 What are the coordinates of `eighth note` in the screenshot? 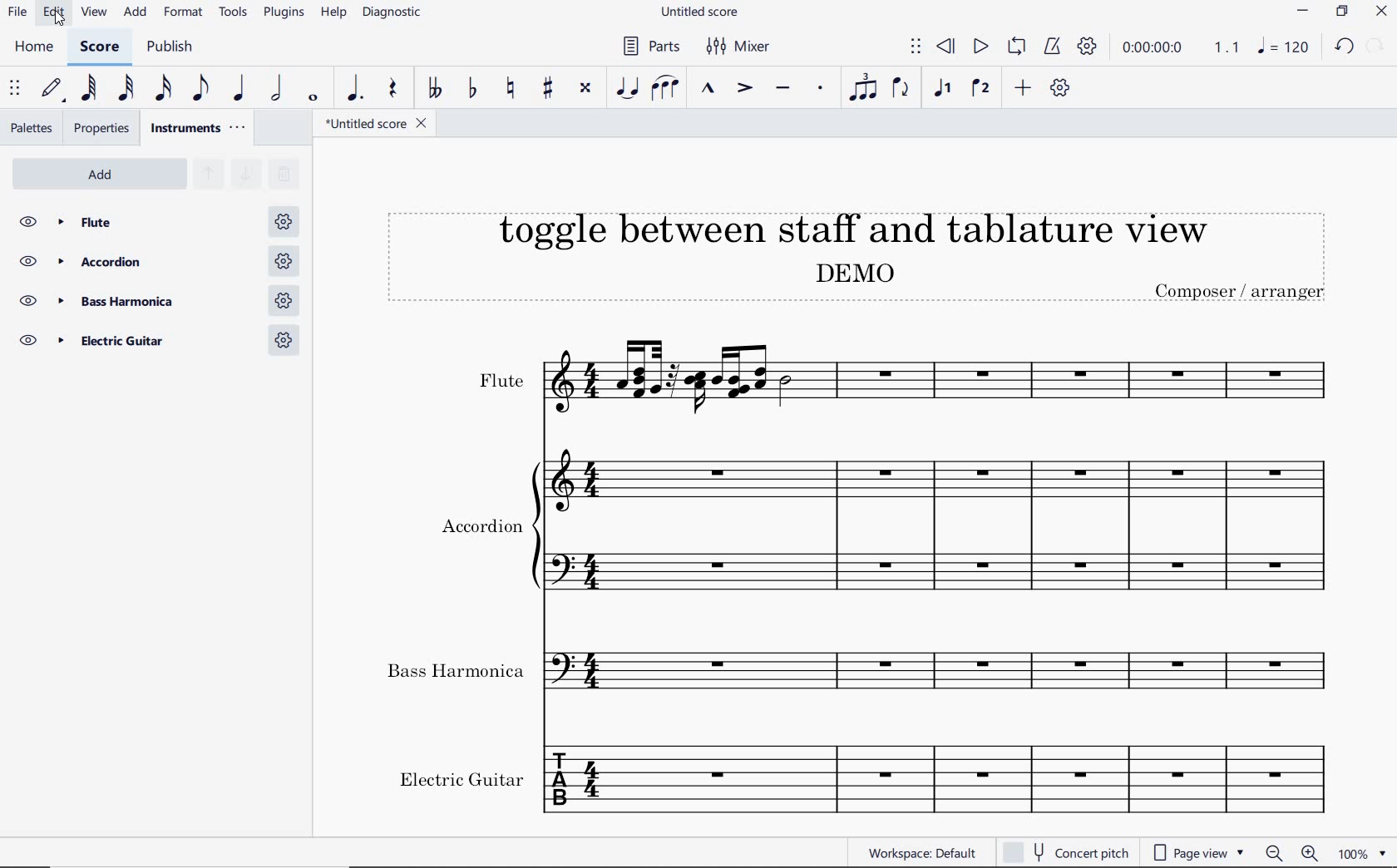 It's located at (199, 89).